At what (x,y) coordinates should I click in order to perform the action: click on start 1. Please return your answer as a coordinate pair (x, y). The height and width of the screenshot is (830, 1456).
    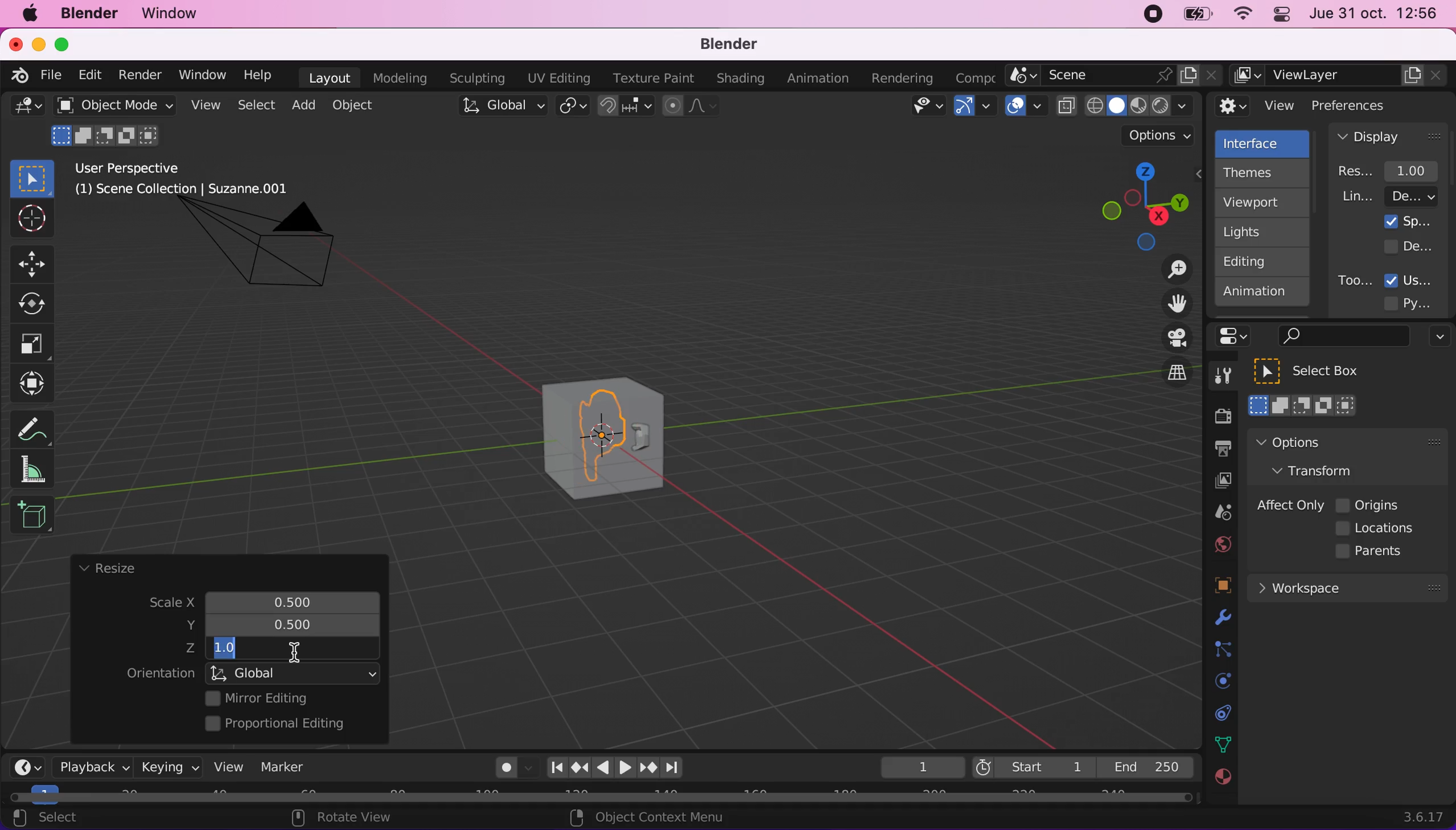
    Looking at the image, I should click on (1032, 767).